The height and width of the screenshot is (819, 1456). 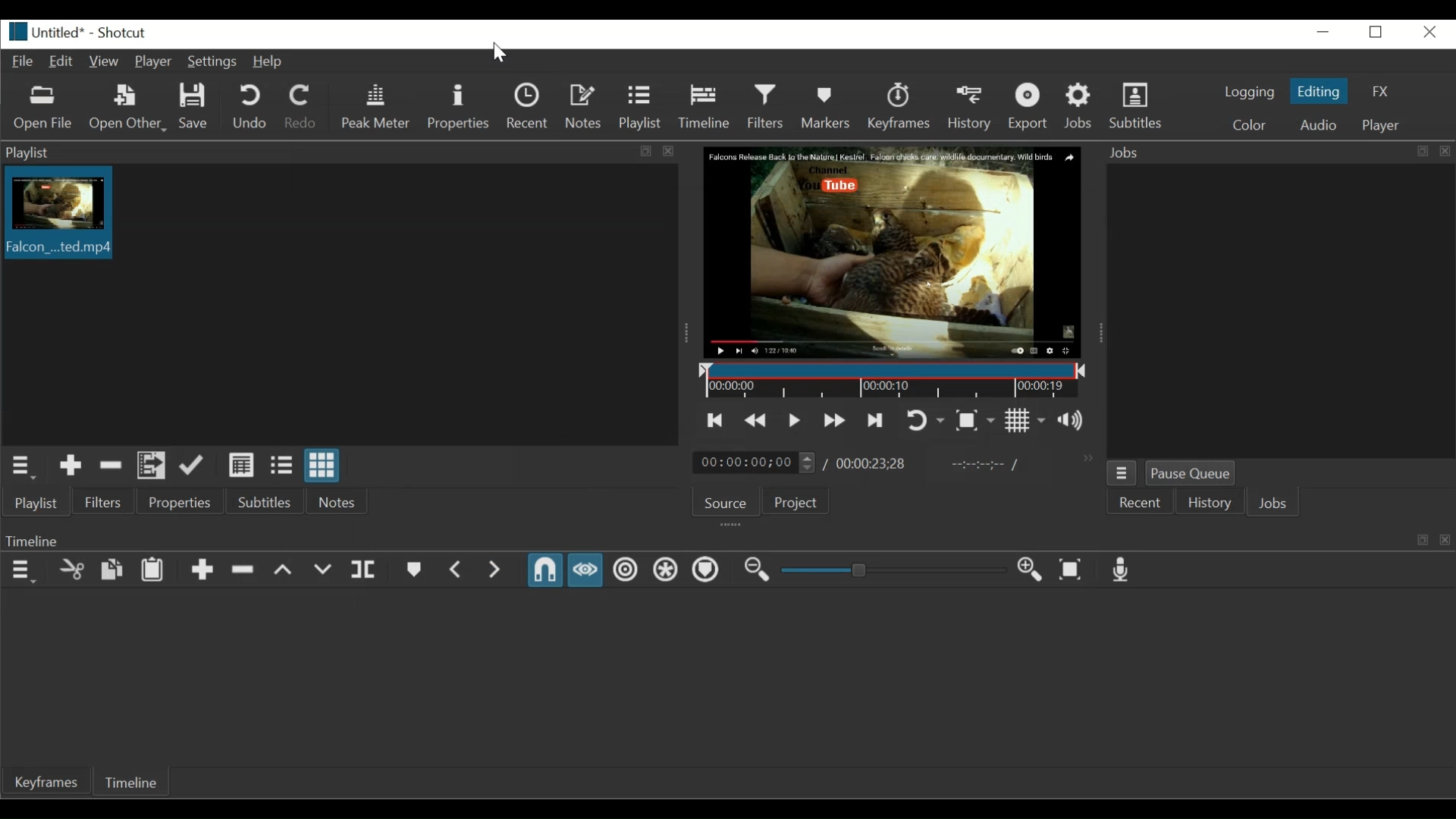 What do you see at coordinates (62, 62) in the screenshot?
I see `Edit` at bounding box center [62, 62].